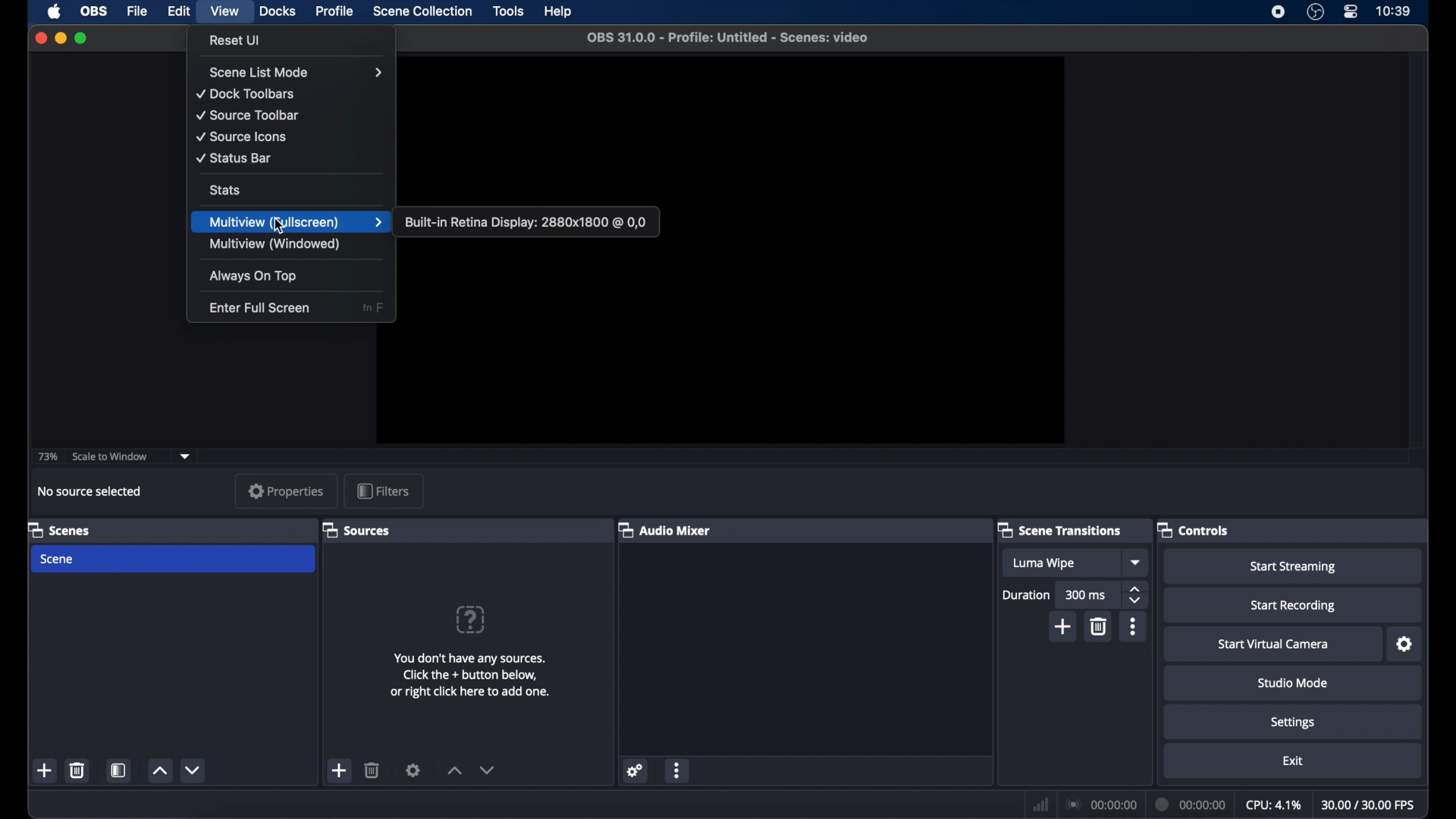  What do you see at coordinates (174, 559) in the screenshot?
I see `scene` at bounding box center [174, 559].